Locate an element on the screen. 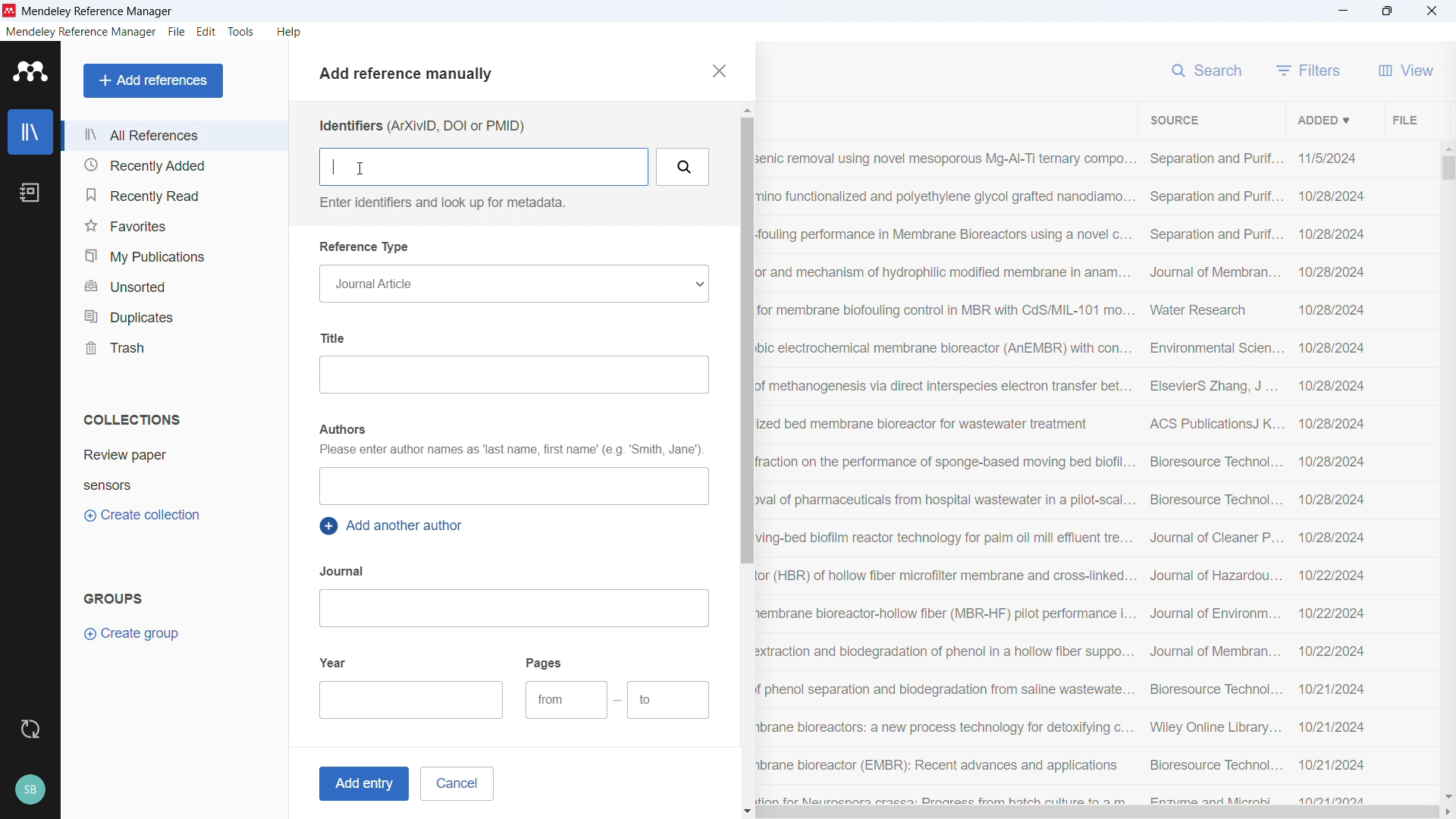 Image resolution: width=1456 pixels, height=819 pixels. Sync  is located at coordinates (30, 730).